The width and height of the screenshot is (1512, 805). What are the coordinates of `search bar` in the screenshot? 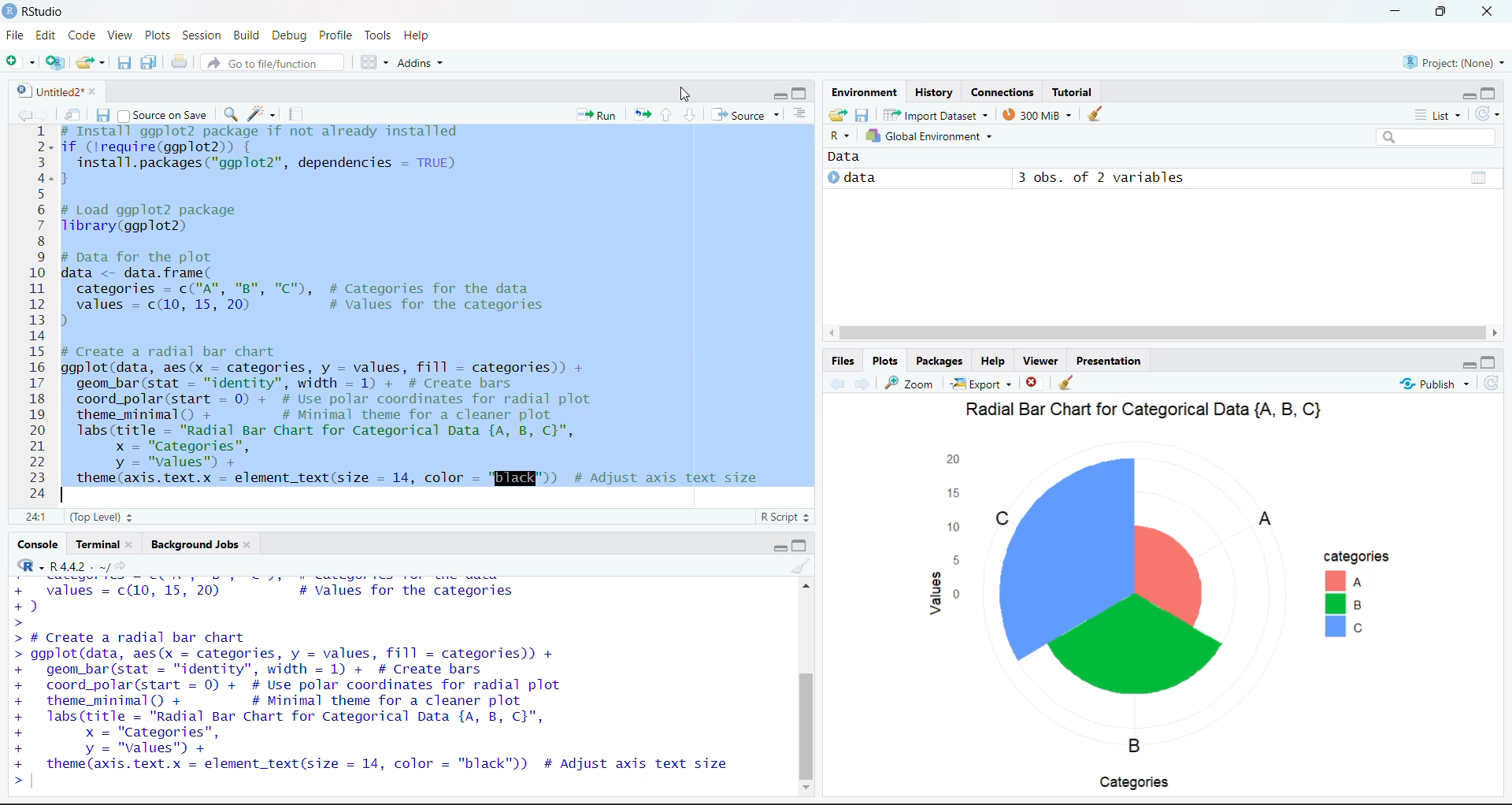 It's located at (1435, 136).